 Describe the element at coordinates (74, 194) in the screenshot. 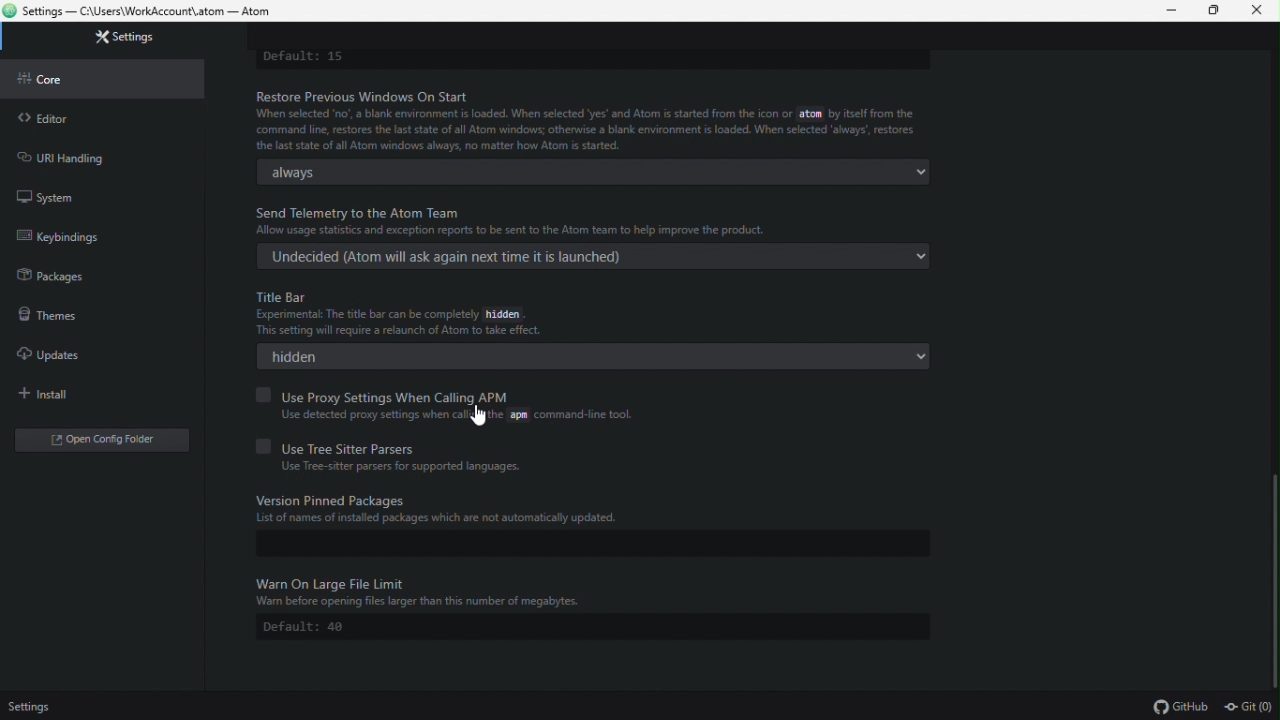

I see `system` at that location.